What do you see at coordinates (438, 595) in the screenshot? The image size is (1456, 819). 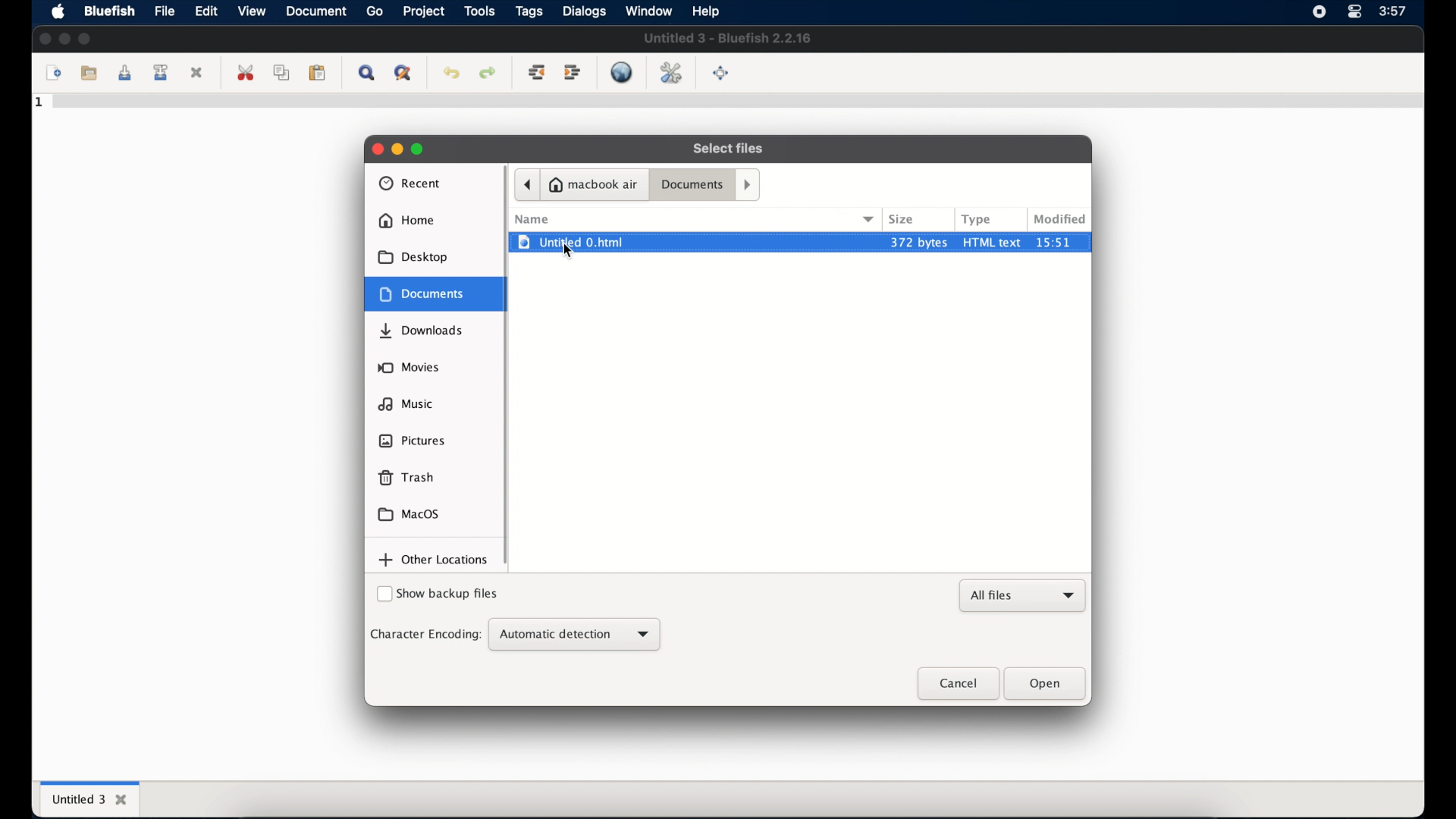 I see `show backup  files` at bounding box center [438, 595].